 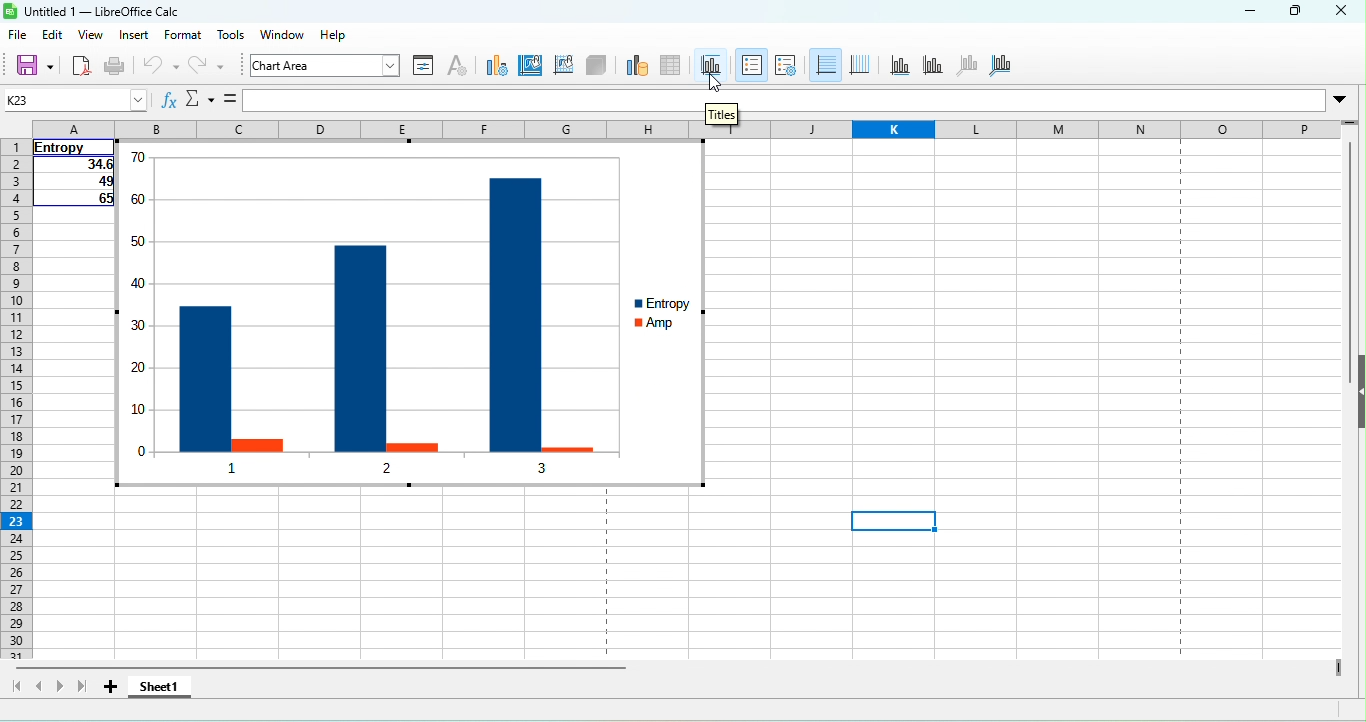 What do you see at coordinates (187, 39) in the screenshot?
I see `format` at bounding box center [187, 39].